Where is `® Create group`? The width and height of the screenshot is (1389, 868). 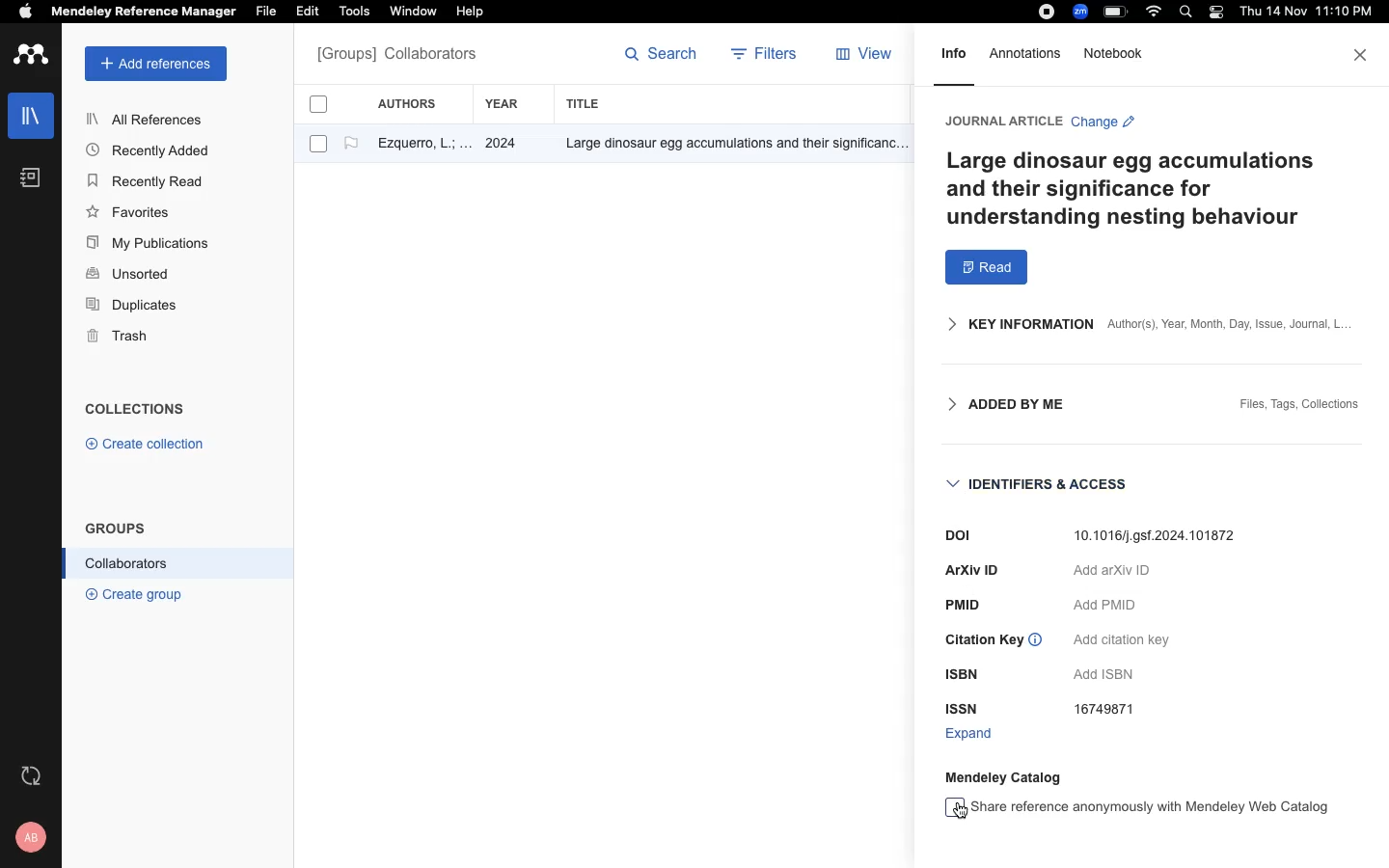
® Create group is located at coordinates (130, 593).